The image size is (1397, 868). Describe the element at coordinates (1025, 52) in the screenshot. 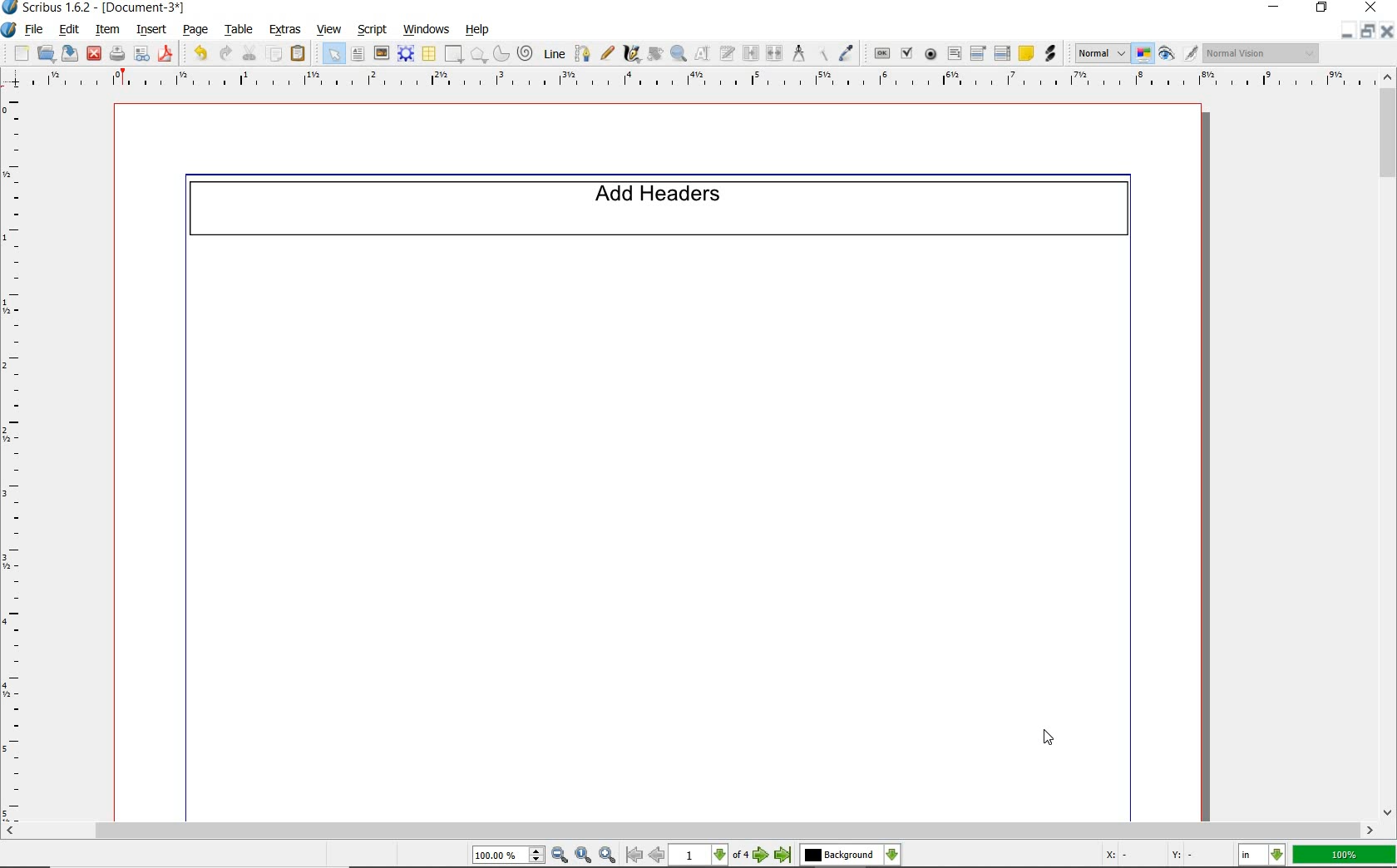

I see `text annotation` at that location.